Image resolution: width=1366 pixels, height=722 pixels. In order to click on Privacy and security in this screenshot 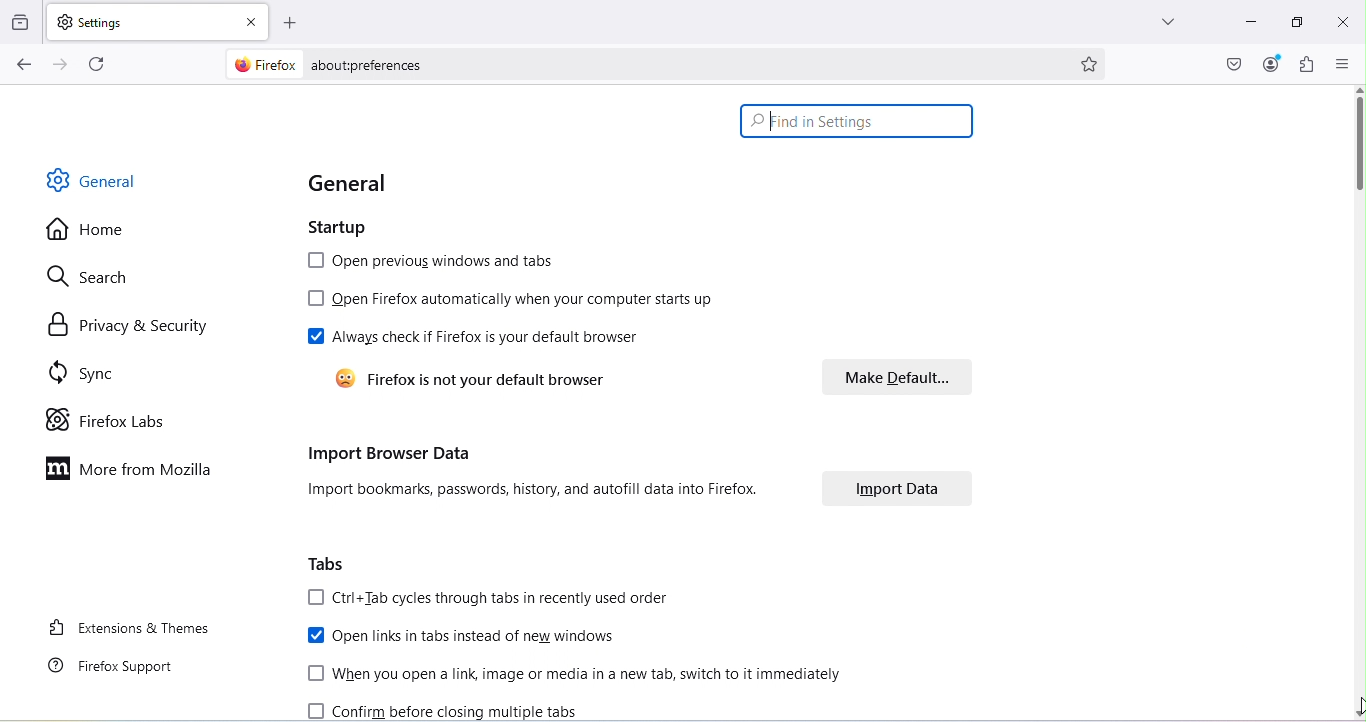, I will do `click(127, 325)`.